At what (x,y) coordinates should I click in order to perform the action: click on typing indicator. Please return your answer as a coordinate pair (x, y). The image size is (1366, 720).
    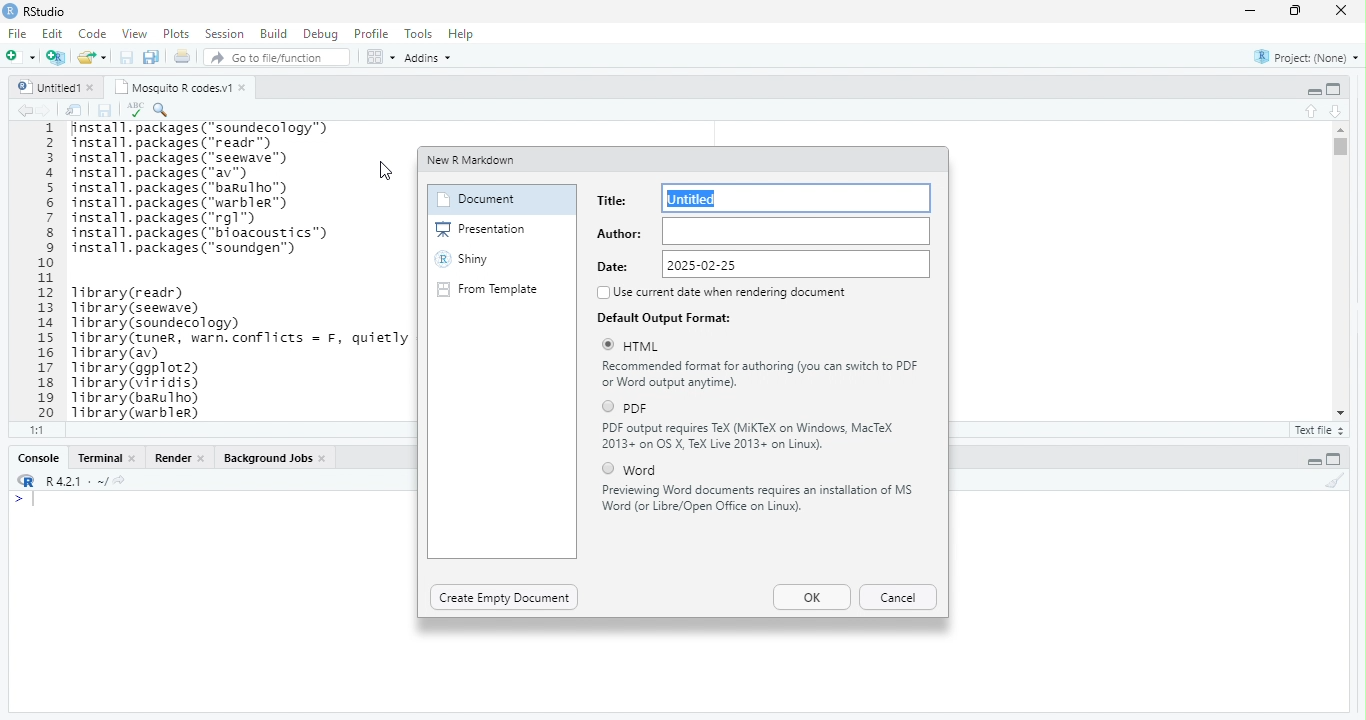
    Looking at the image, I should click on (35, 500).